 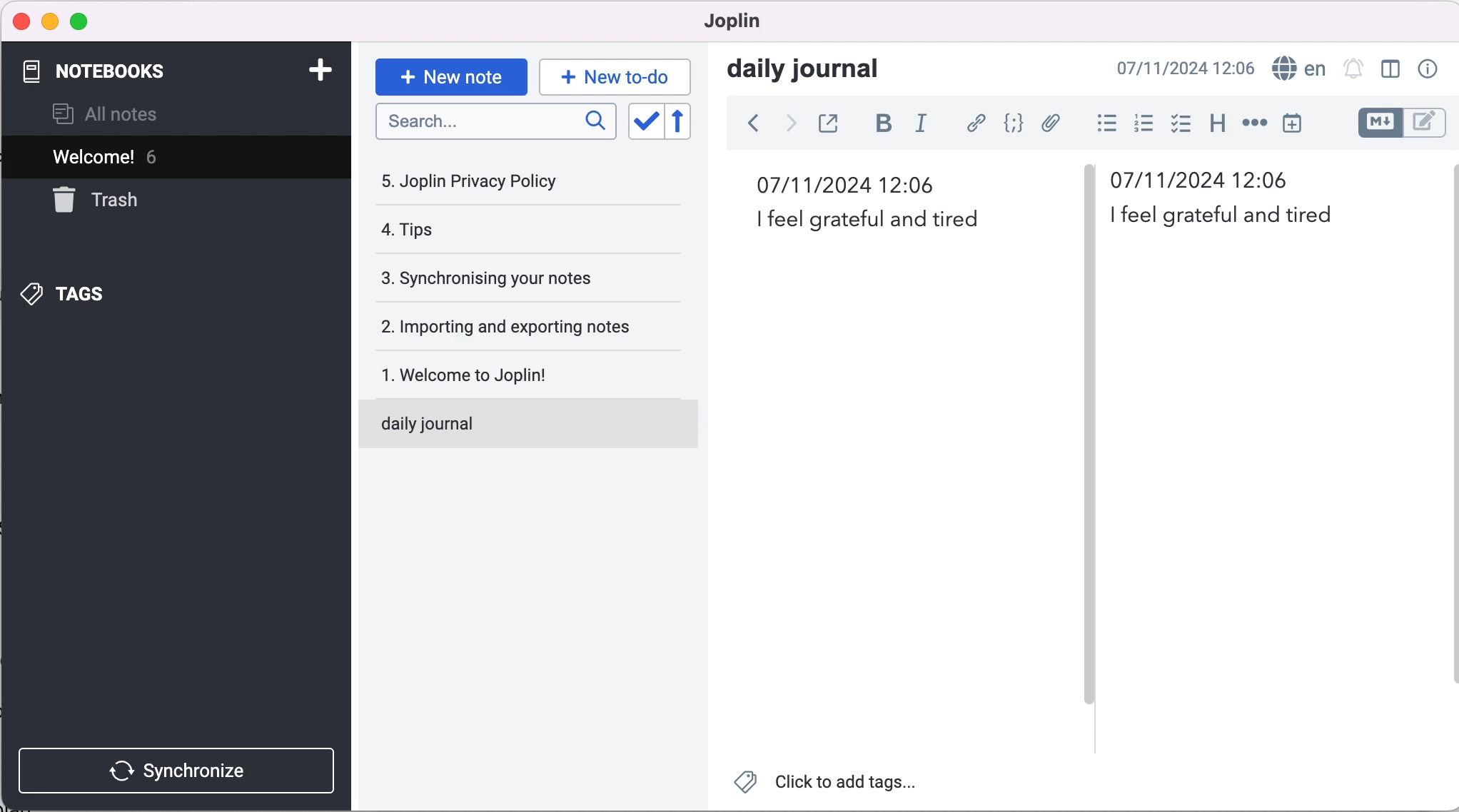 I want to click on attach file, so click(x=1051, y=123).